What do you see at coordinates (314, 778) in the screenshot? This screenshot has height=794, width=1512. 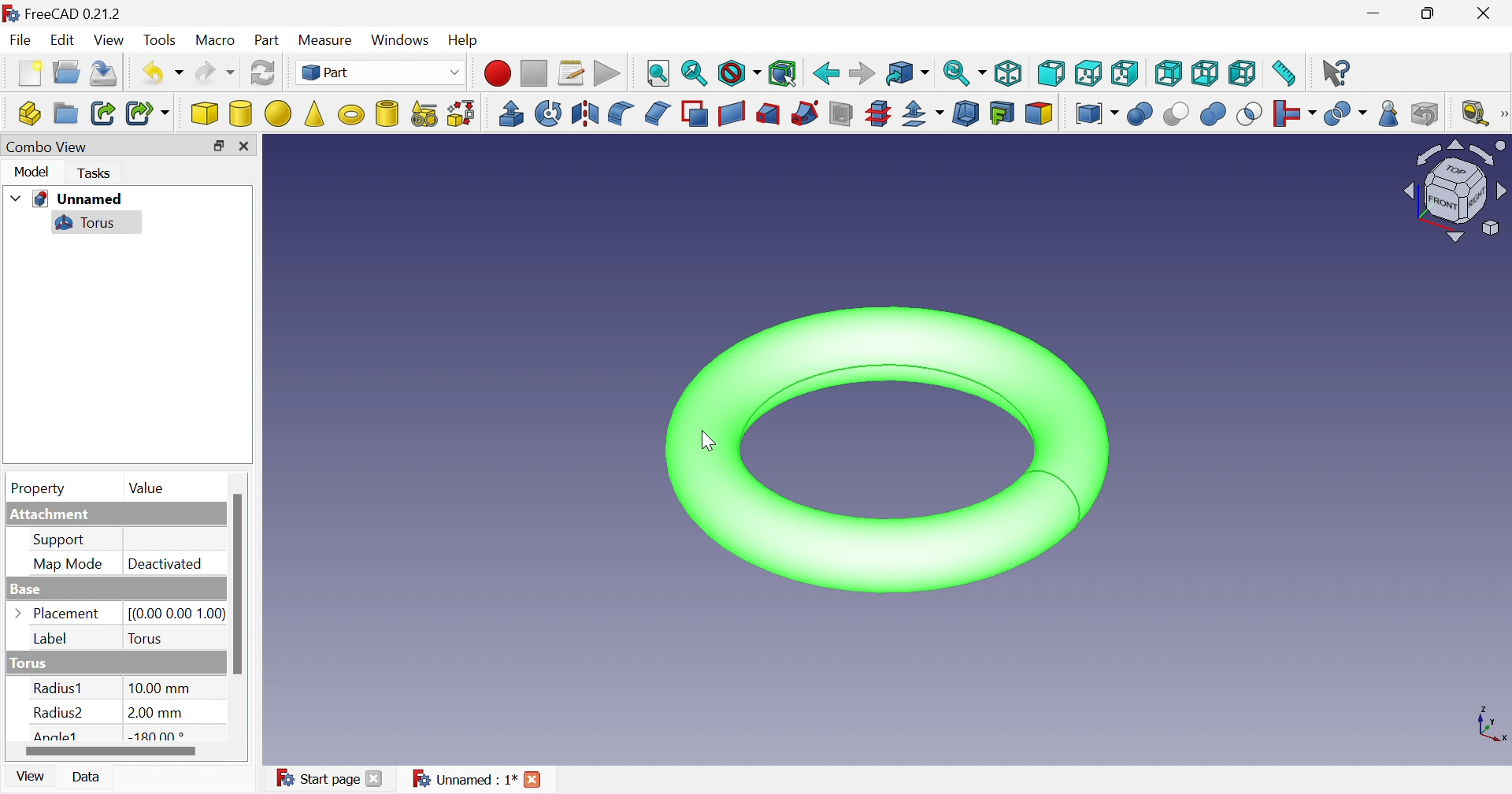 I see `Start  page` at bounding box center [314, 778].